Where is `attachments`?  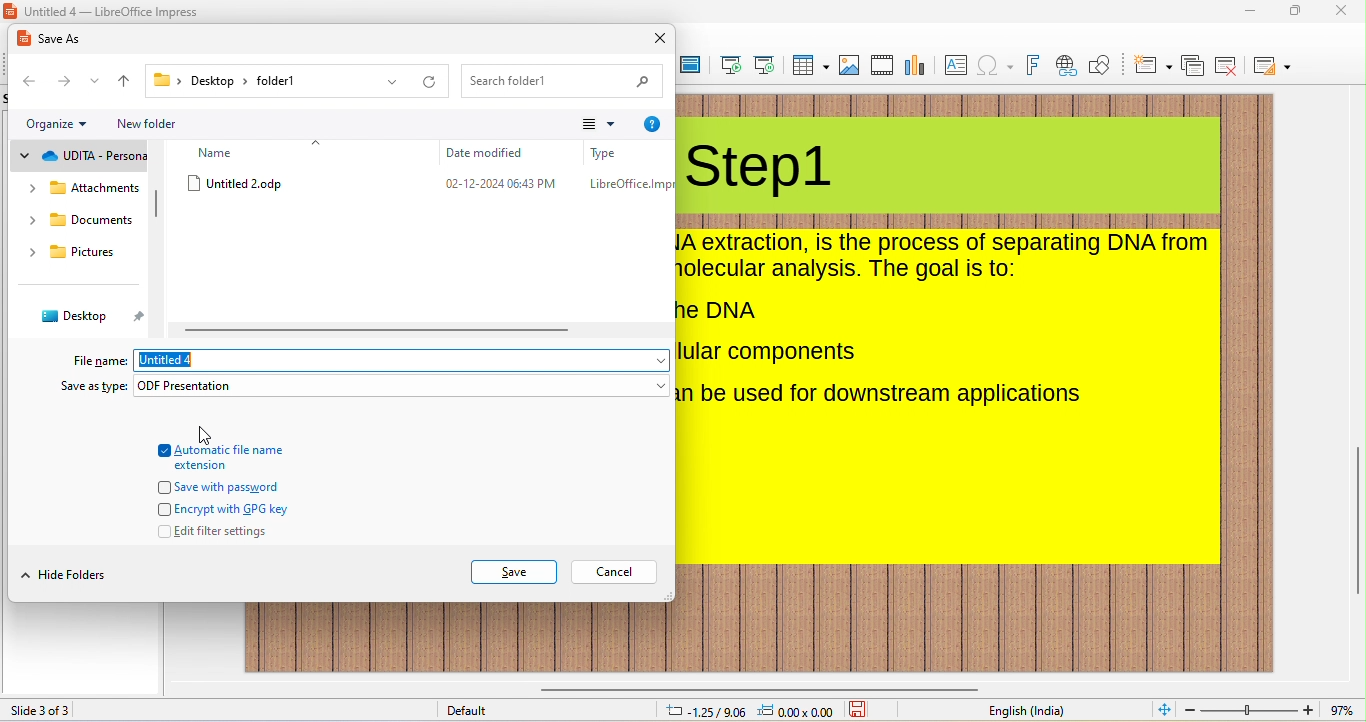 attachments is located at coordinates (96, 190).